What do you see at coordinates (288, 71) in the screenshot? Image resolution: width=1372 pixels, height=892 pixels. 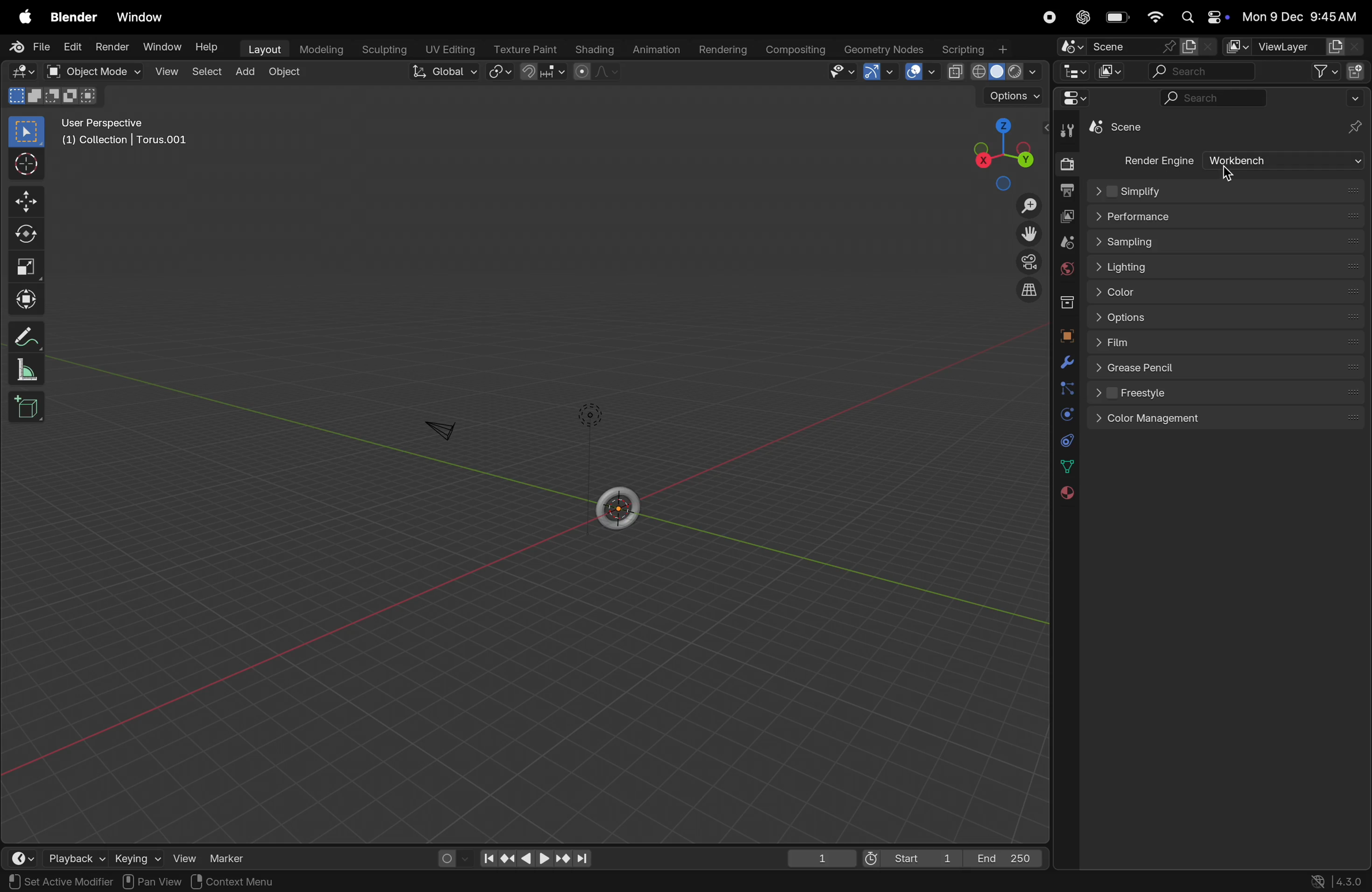 I see `object` at bounding box center [288, 71].